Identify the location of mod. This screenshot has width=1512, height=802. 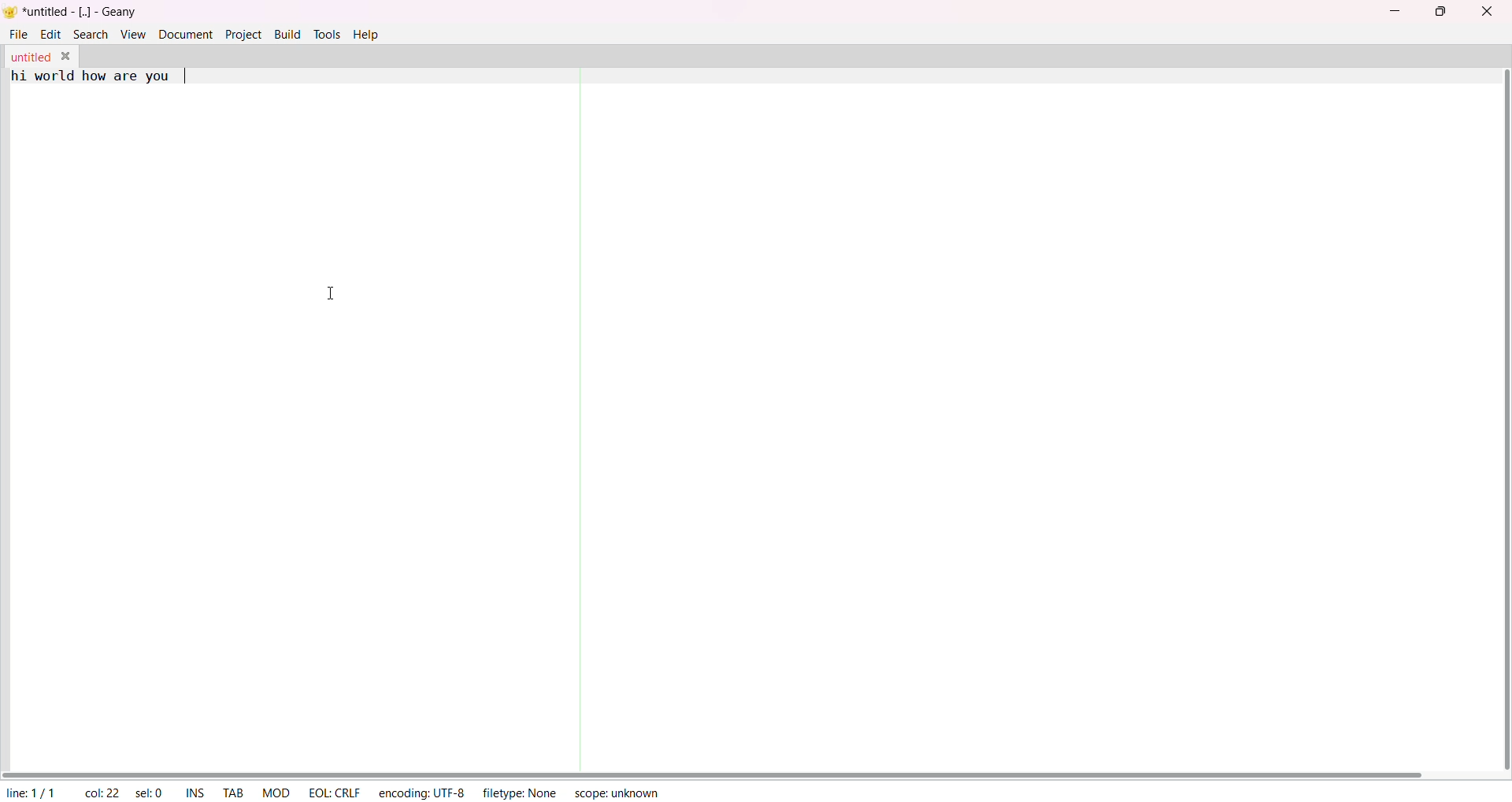
(272, 792).